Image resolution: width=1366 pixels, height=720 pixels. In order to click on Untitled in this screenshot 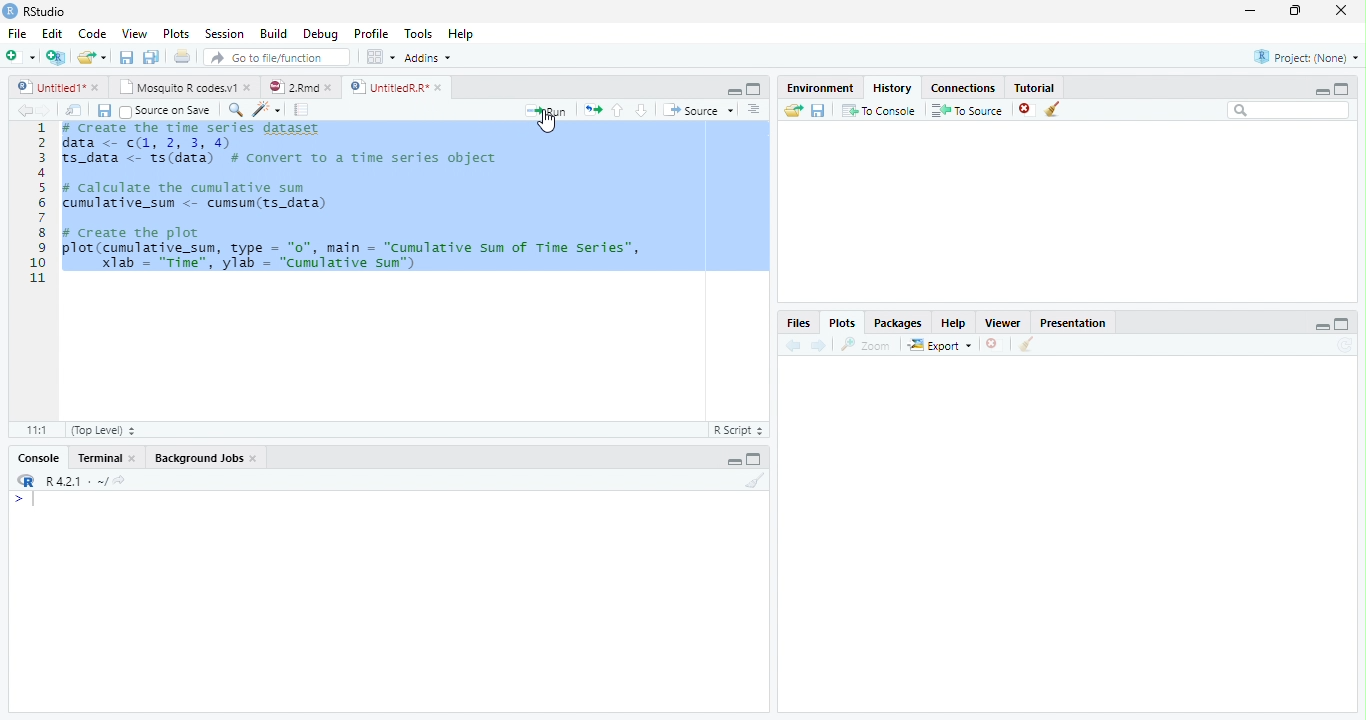, I will do `click(58, 88)`.